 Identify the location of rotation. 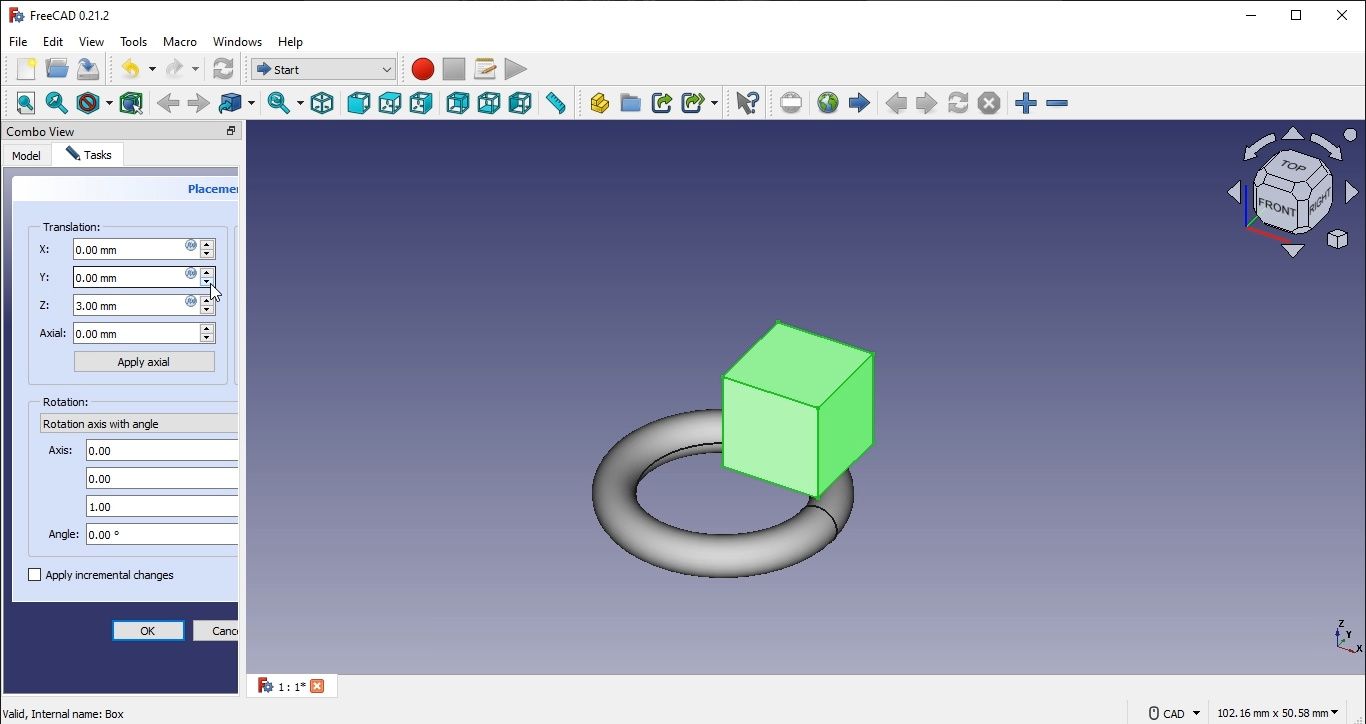
(65, 403).